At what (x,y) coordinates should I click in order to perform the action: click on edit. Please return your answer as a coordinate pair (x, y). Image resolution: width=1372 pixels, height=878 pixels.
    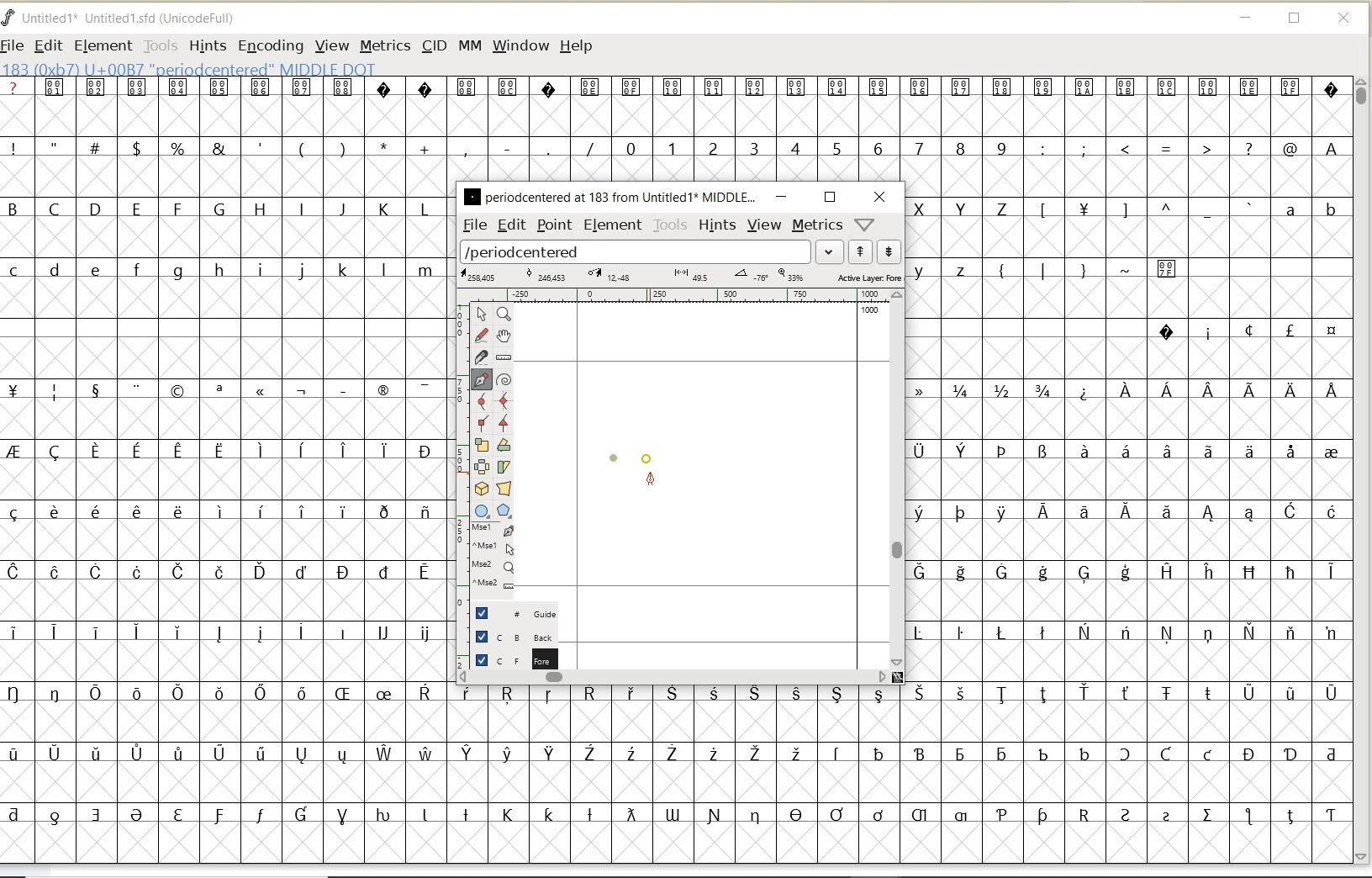
    Looking at the image, I should click on (510, 225).